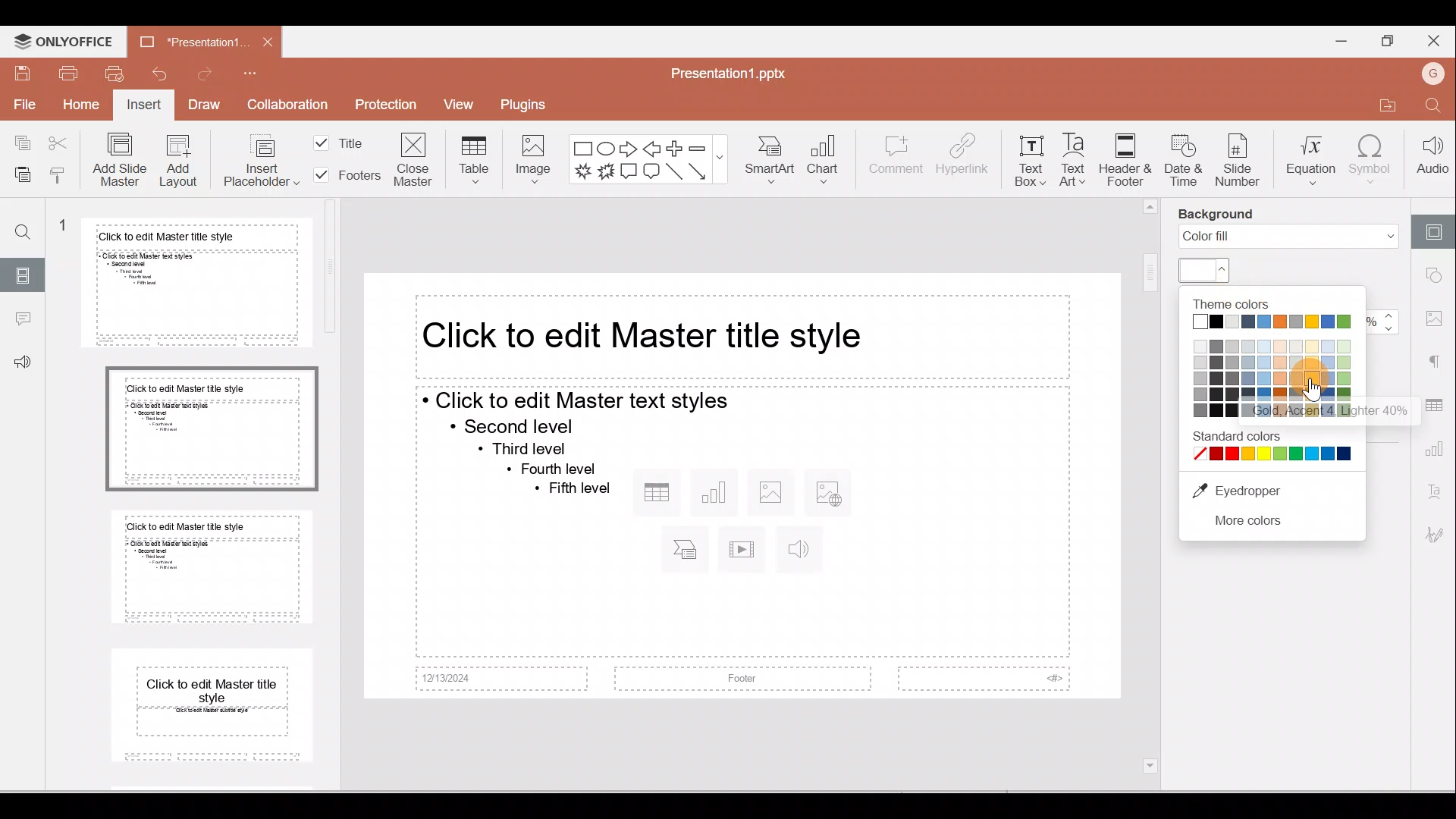 This screenshot has height=819, width=1456. Describe the element at coordinates (1437, 452) in the screenshot. I see `Chart settings` at that location.